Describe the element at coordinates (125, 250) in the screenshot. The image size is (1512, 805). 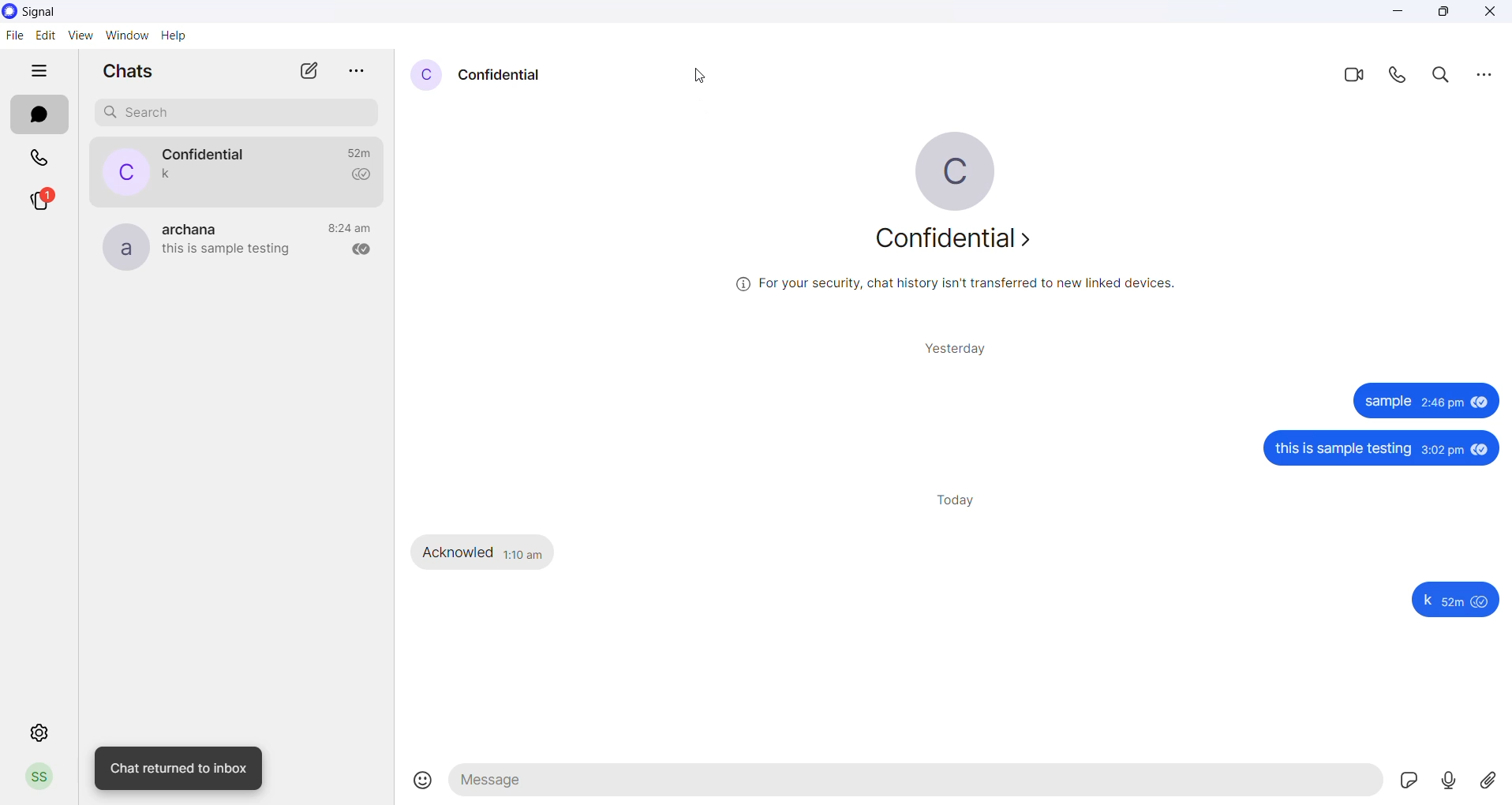
I see `profile picture` at that location.